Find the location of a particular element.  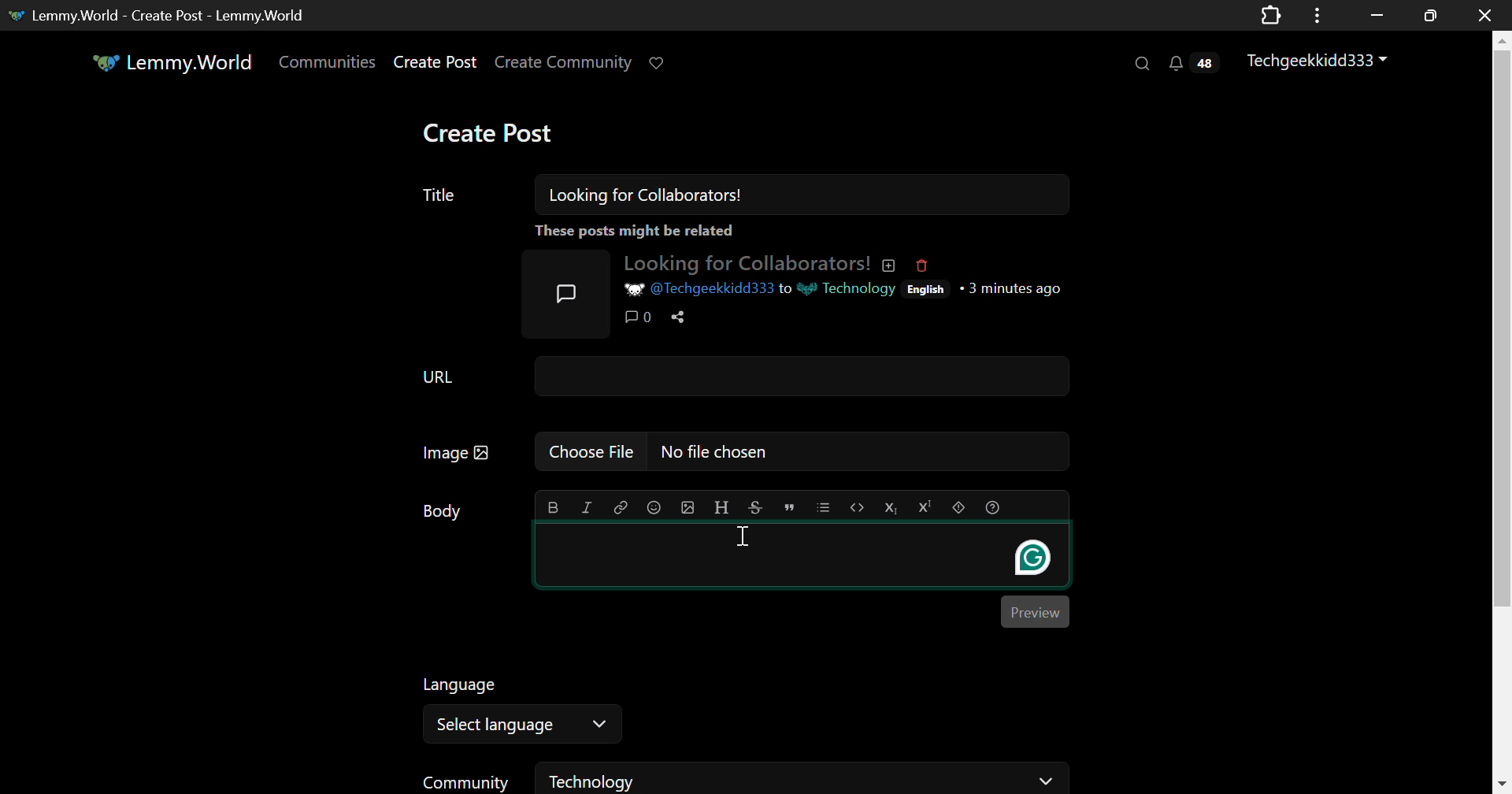

Lemmy.World is located at coordinates (169, 63).